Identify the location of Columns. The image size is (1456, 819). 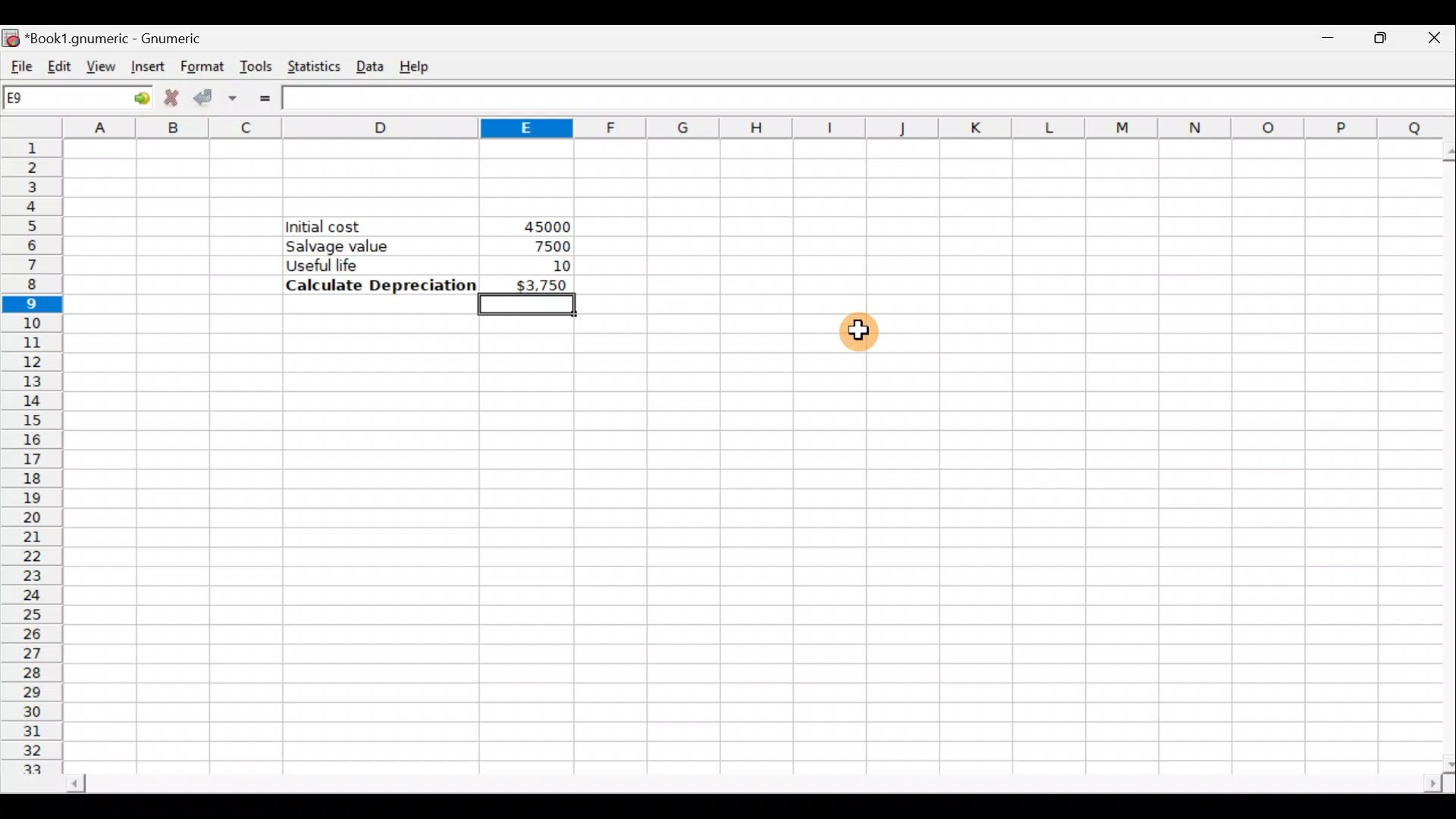
(758, 128).